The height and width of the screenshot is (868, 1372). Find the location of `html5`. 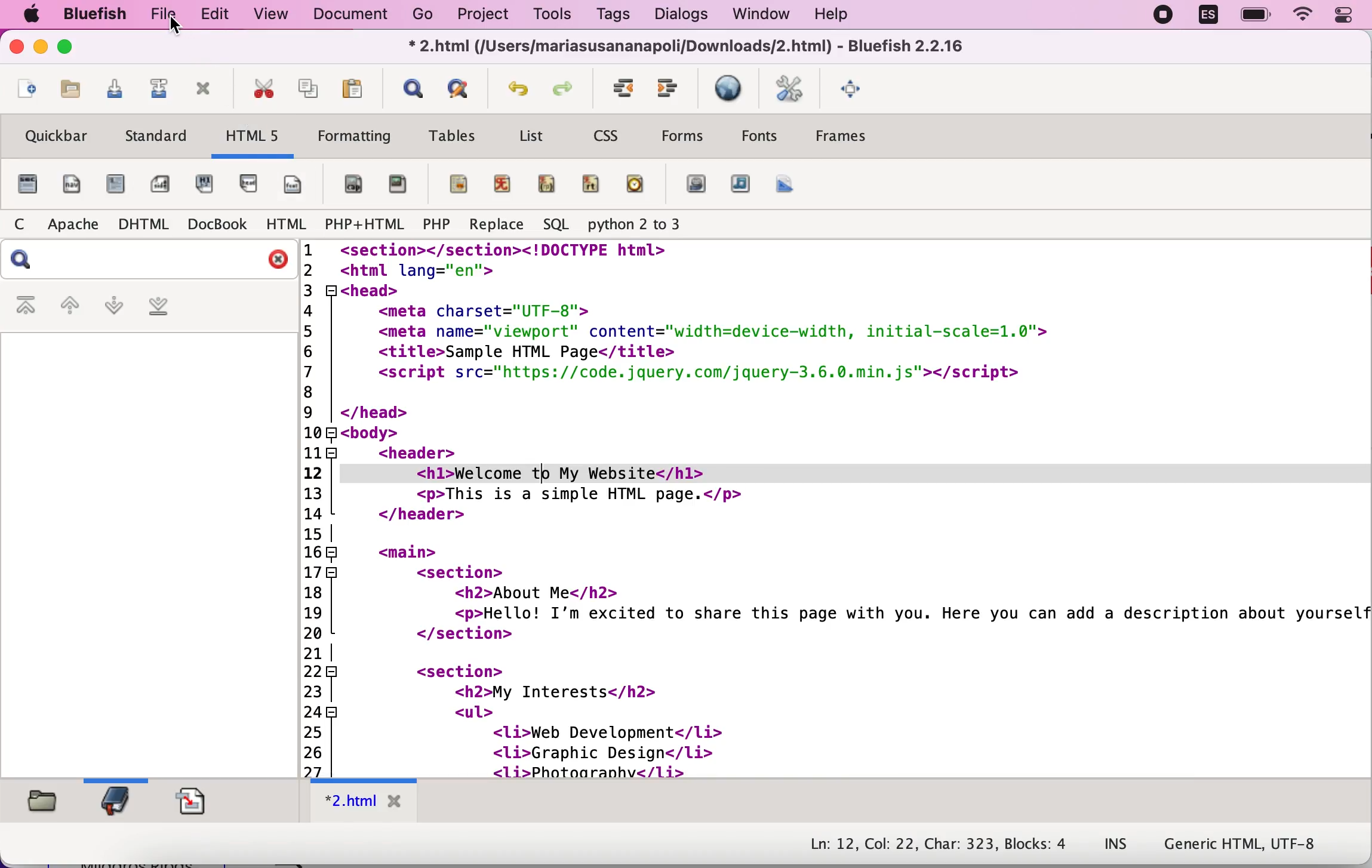

html5 is located at coordinates (250, 137).